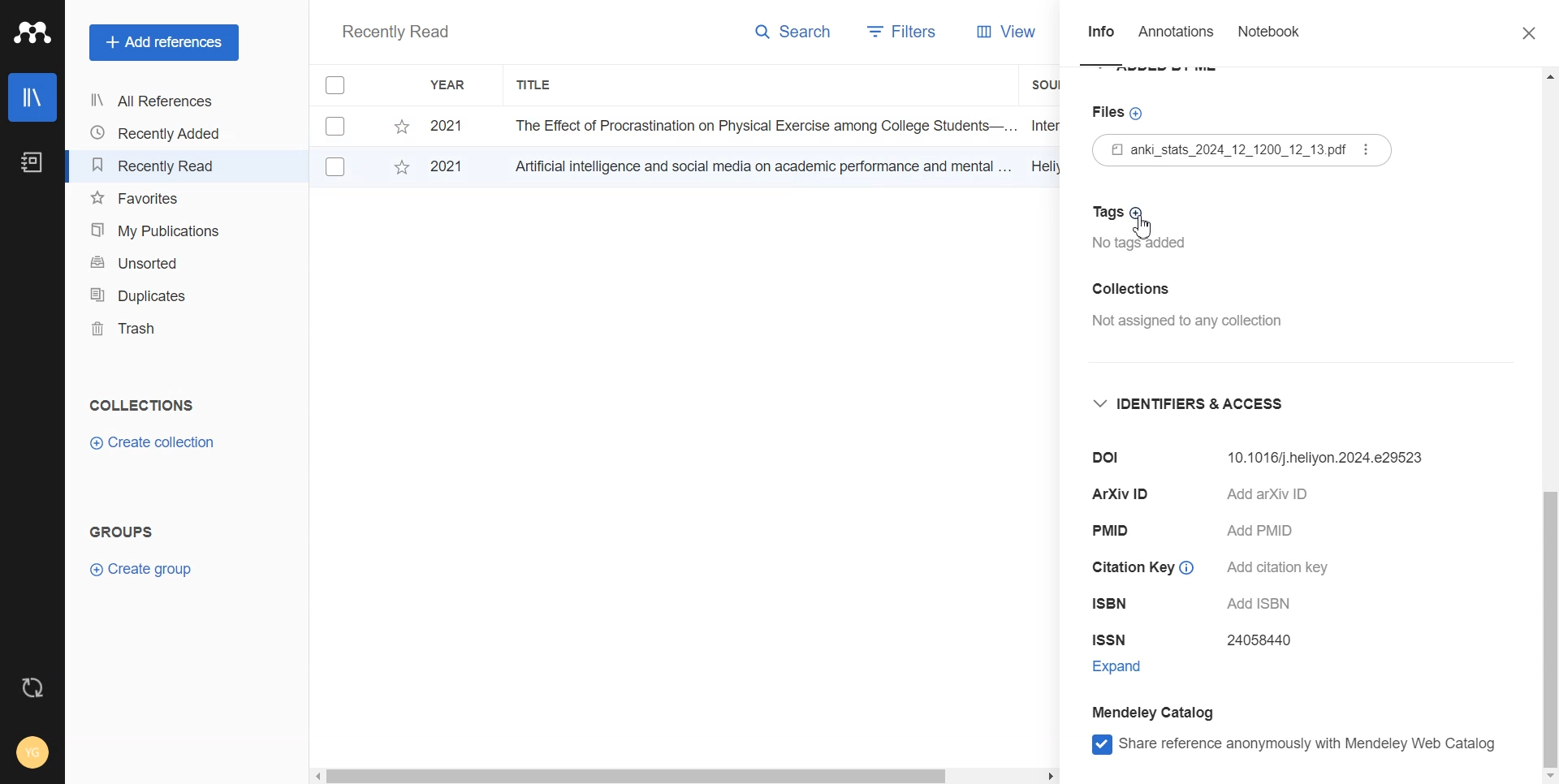 The image size is (1559, 784). I want to click on Identifier and access, so click(1203, 407).